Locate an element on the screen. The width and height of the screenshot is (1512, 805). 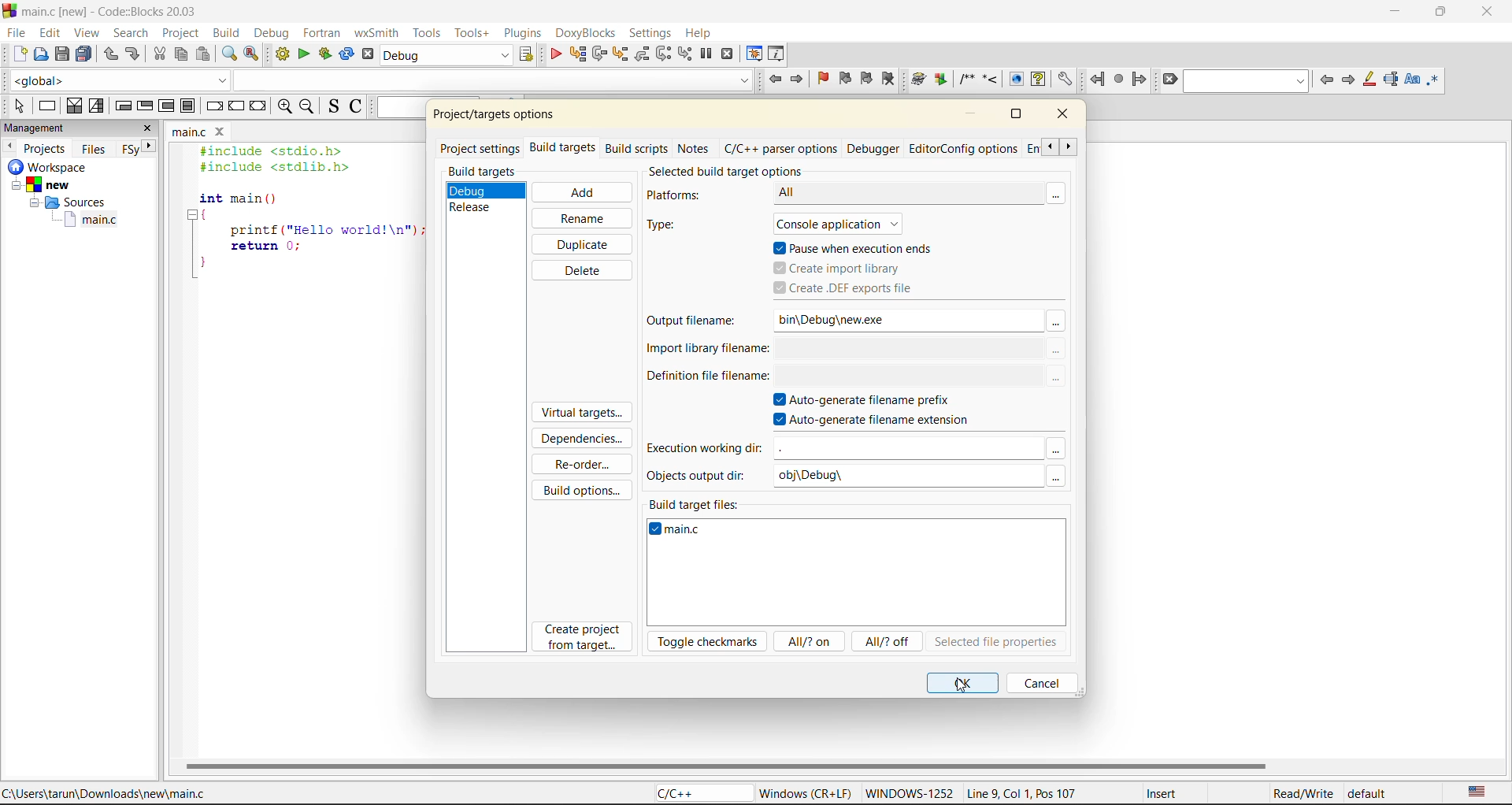
view is located at coordinates (85, 33).